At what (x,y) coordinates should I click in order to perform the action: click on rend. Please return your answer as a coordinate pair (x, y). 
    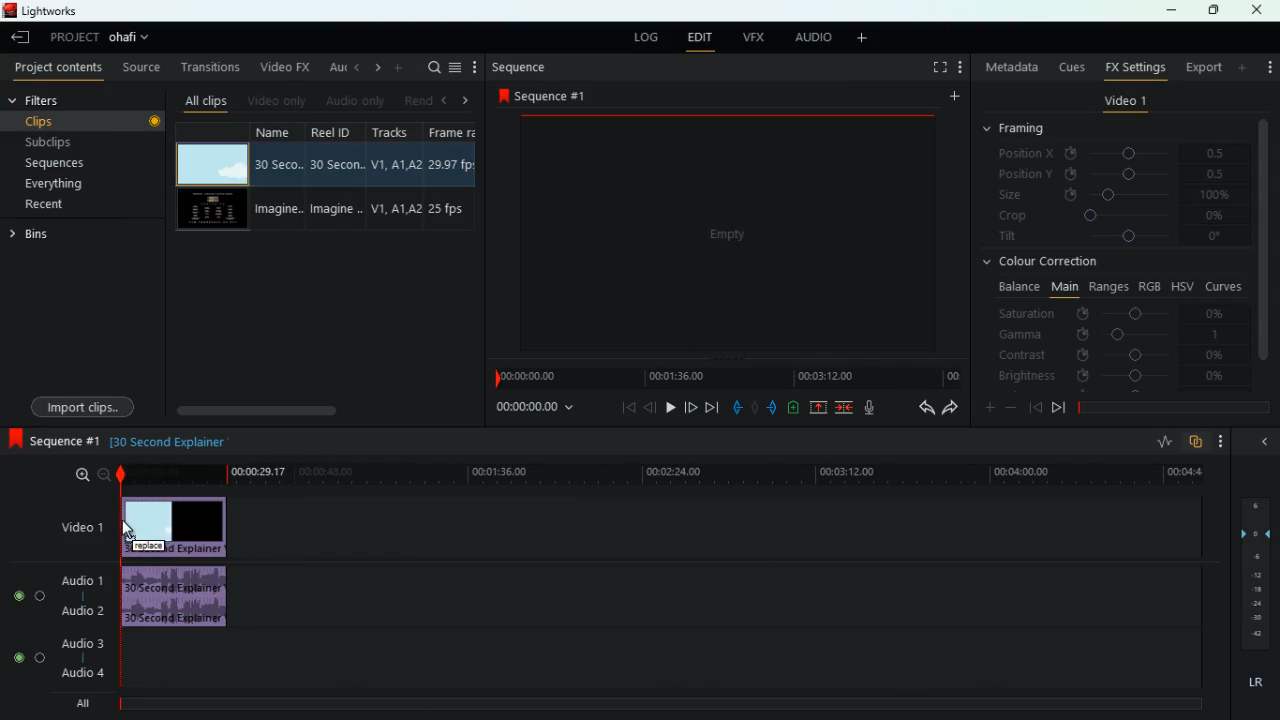
    Looking at the image, I should click on (418, 99).